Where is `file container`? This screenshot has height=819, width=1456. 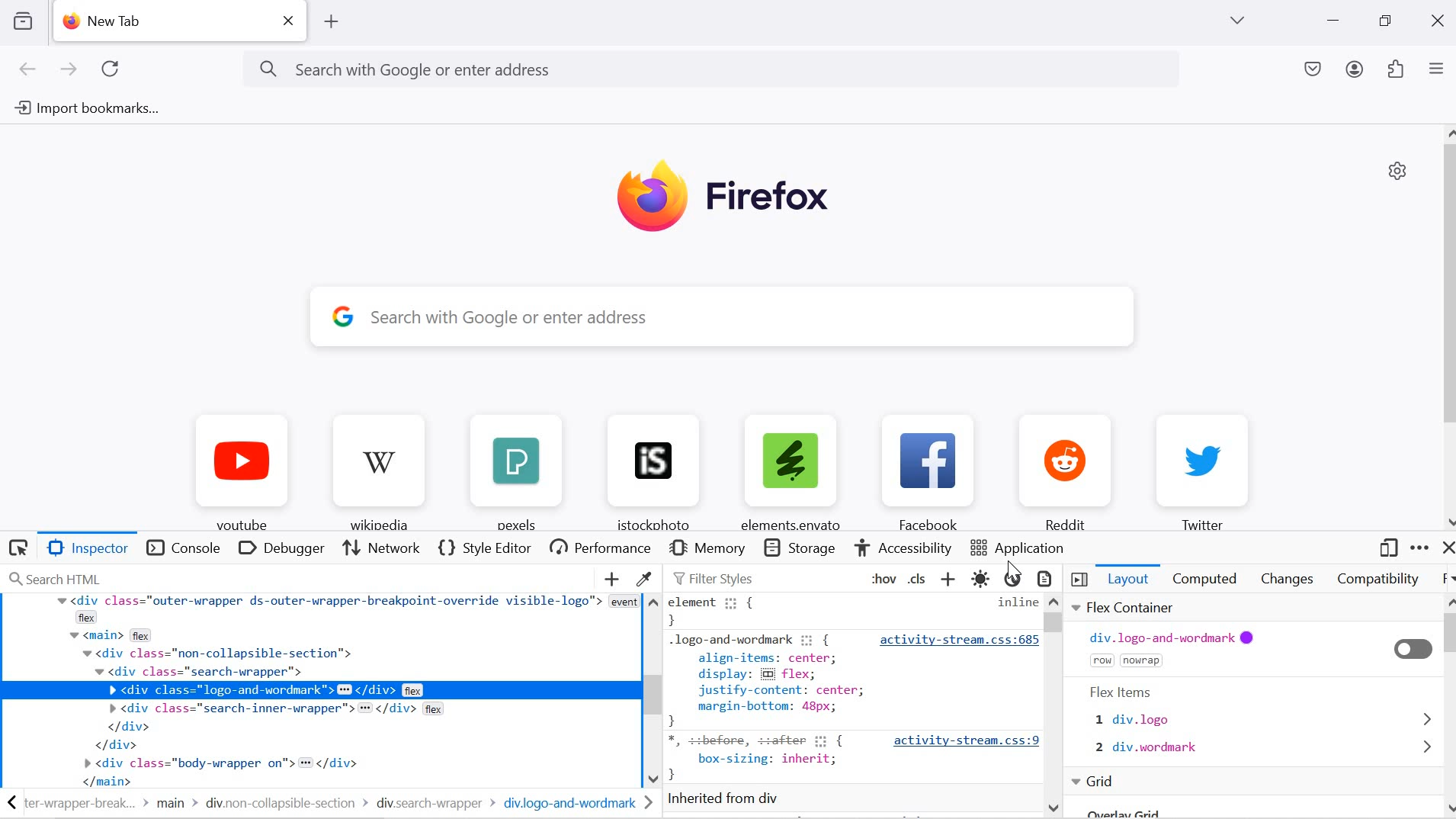
file container is located at coordinates (1126, 608).